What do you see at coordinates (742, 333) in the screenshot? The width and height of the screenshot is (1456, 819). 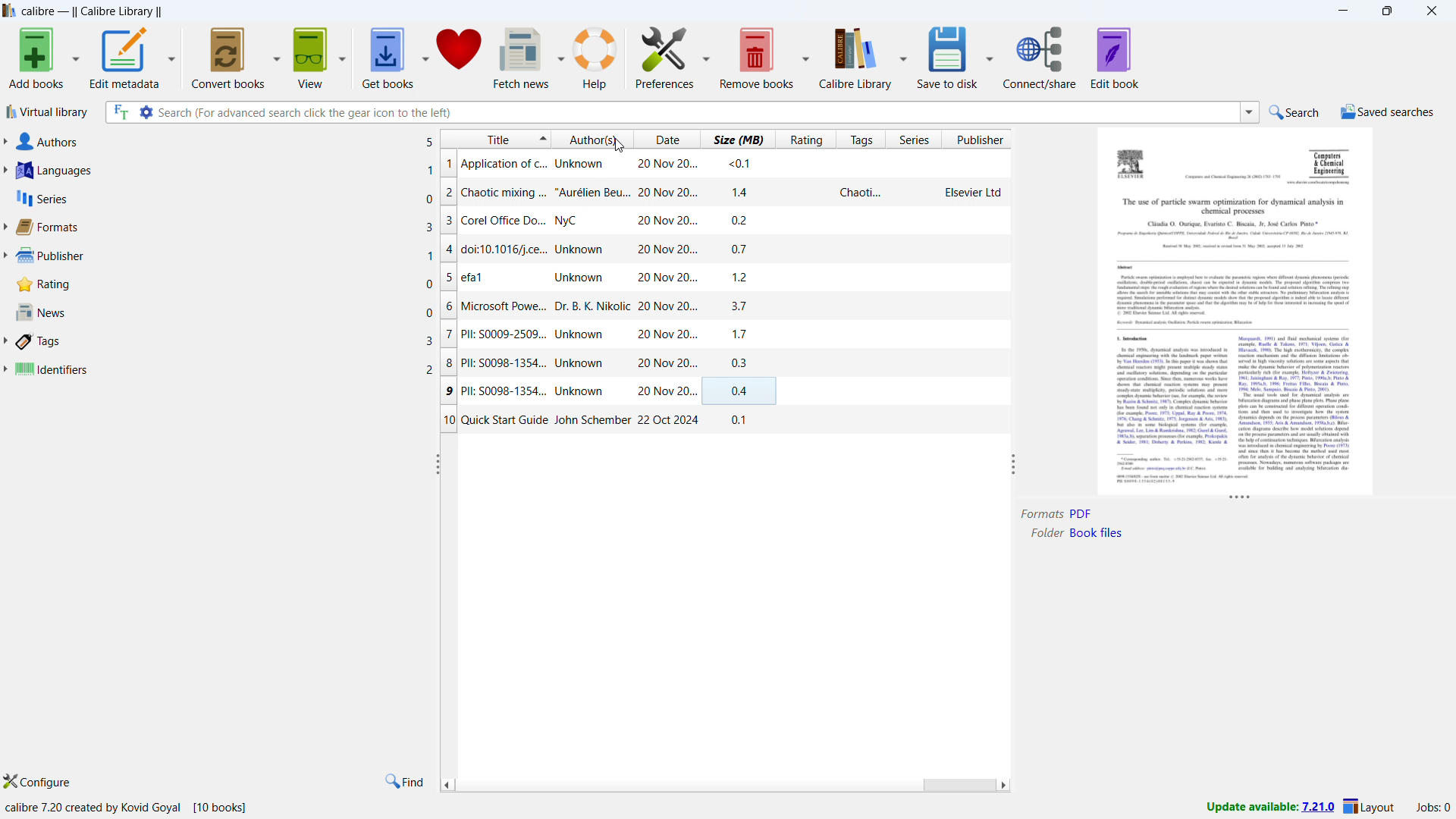 I see `17` at bounding box center [742, 333].